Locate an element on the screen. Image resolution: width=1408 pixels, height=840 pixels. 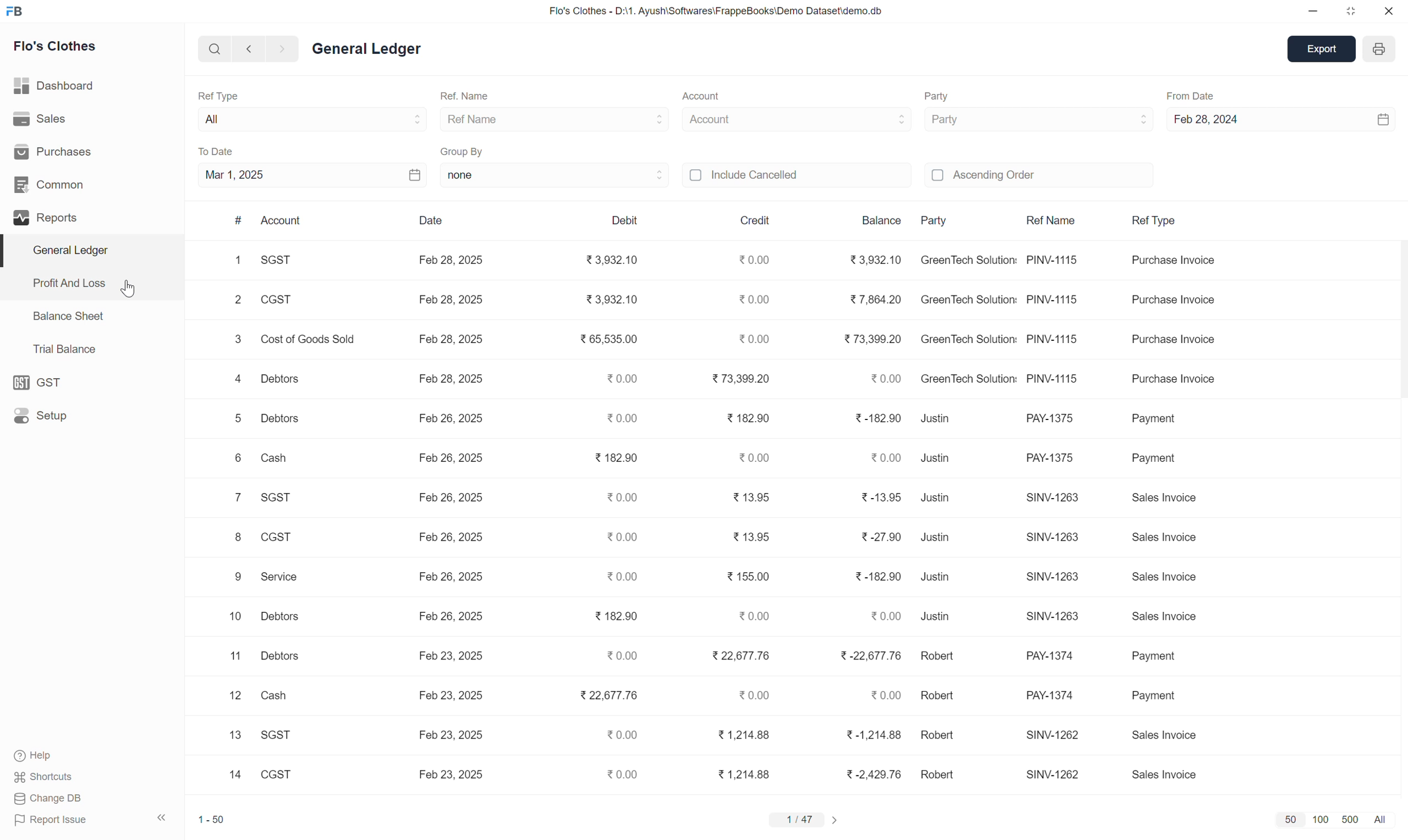
₹65,535.00 is located at coordinates (608, 340).